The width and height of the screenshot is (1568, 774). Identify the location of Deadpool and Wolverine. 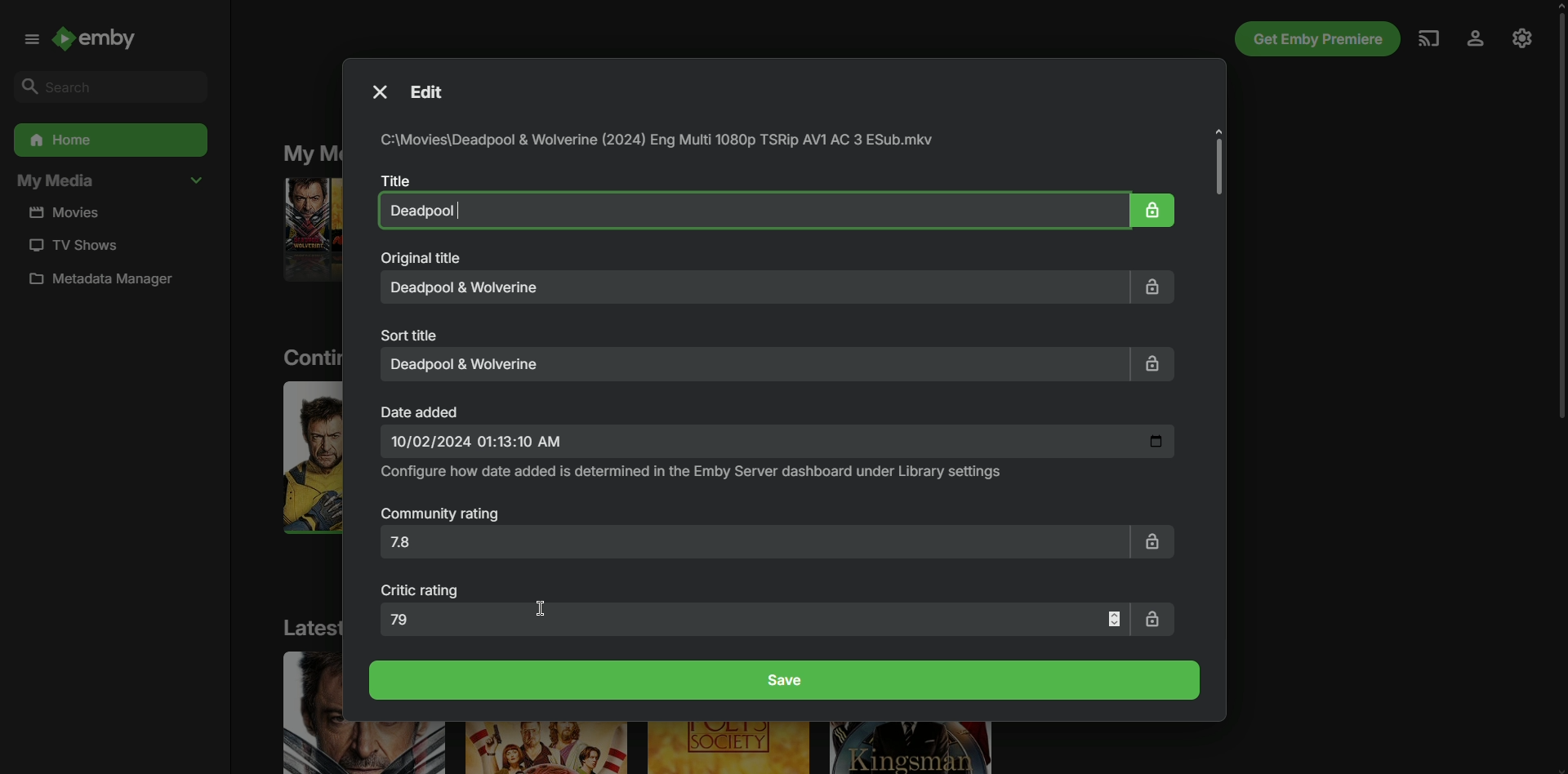
(756, 287).